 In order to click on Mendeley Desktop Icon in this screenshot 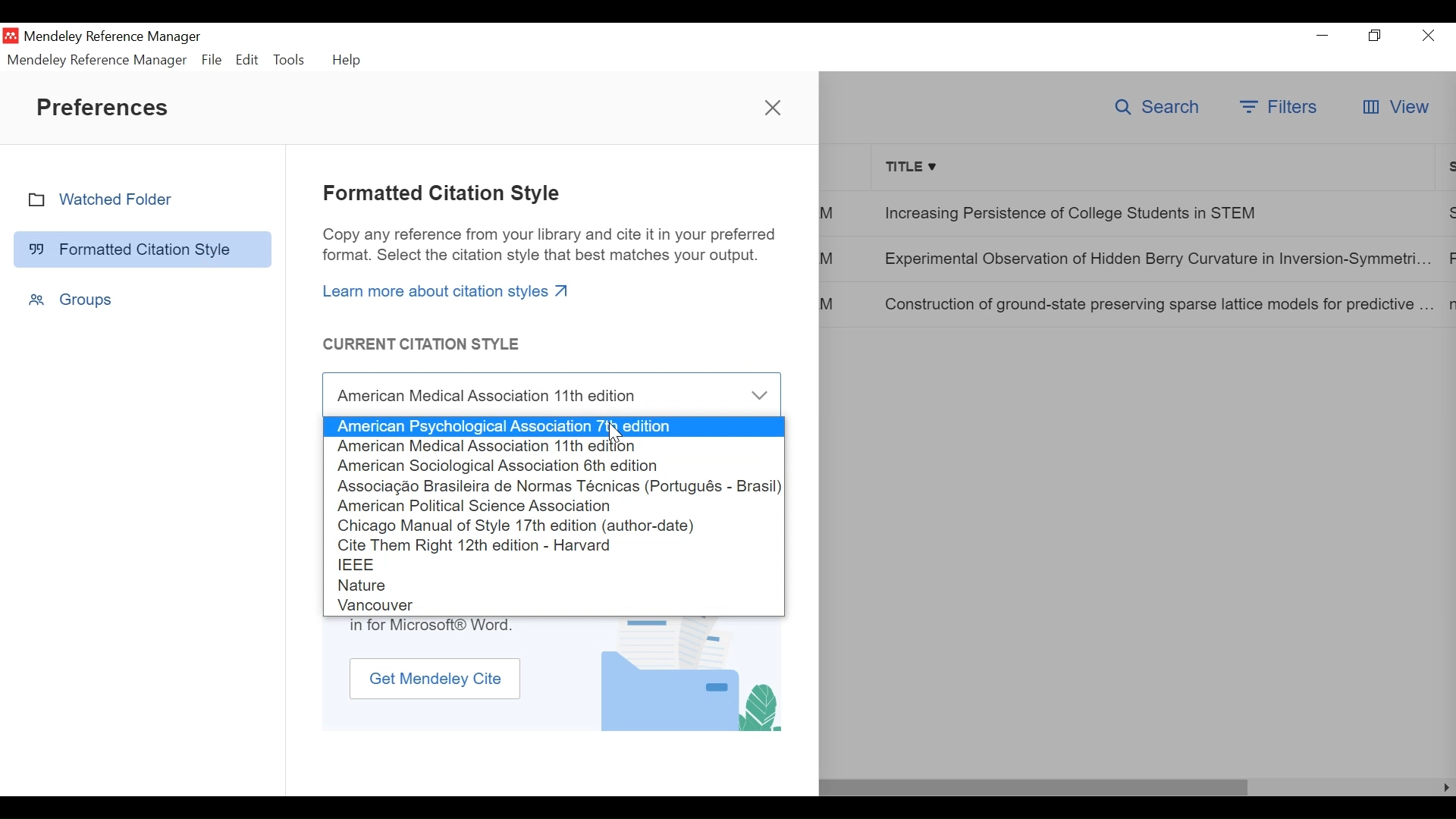, I will do `click(10, 36)`.